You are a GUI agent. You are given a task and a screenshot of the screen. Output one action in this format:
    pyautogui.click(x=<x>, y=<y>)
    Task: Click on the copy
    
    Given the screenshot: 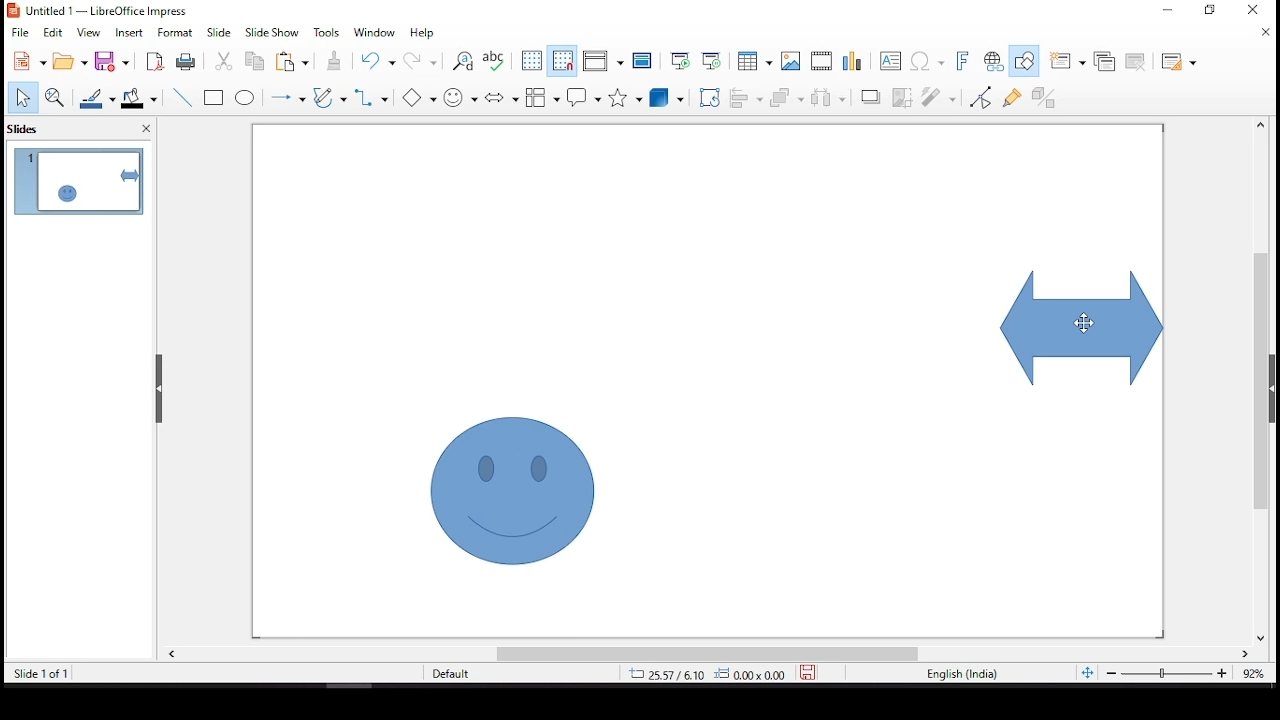 What is the action you would take?
    pyautogui.click(x=251, y=61)
    